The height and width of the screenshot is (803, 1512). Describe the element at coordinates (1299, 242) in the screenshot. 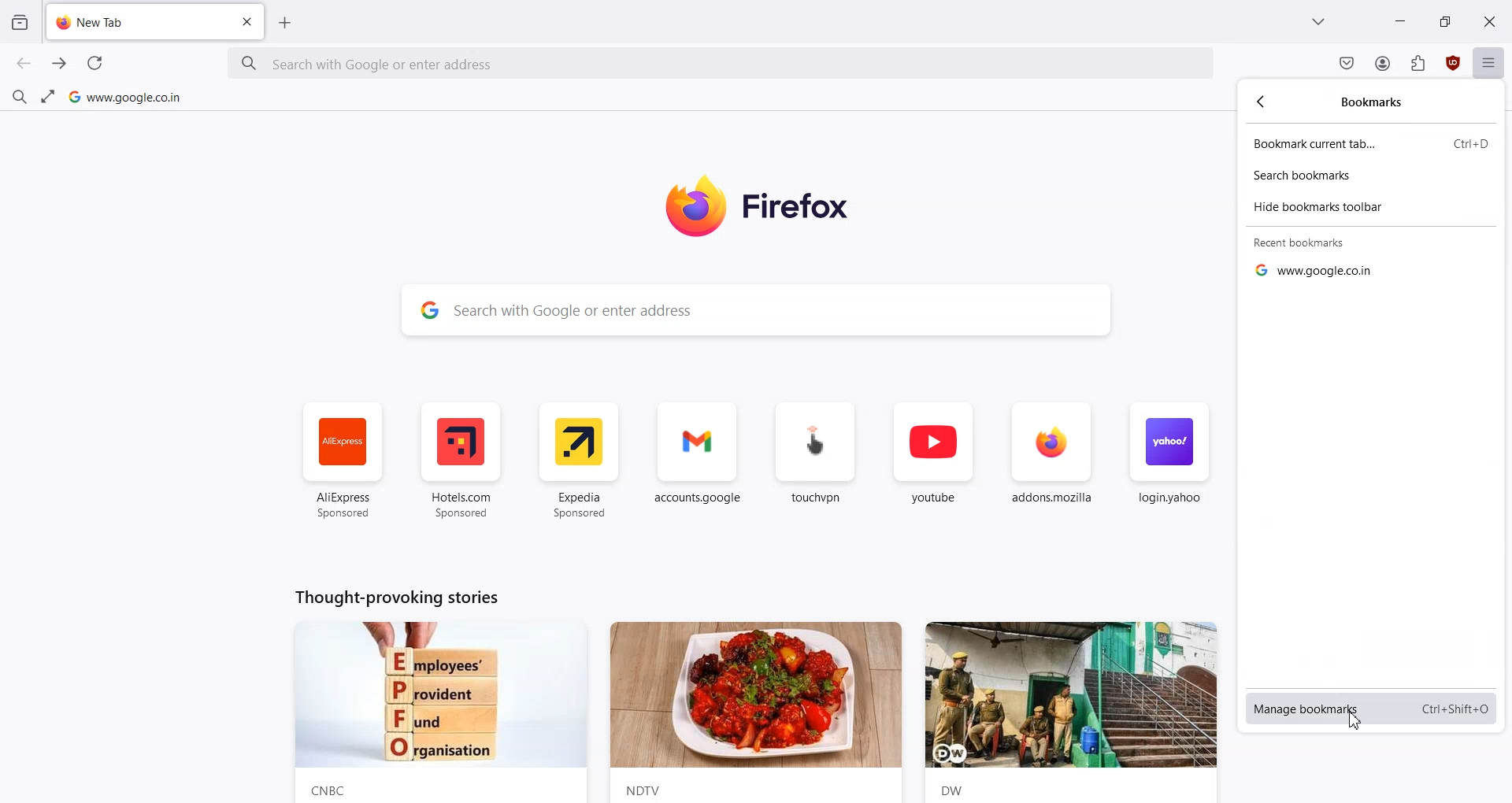

I see `Recent bookmarks` at that location.